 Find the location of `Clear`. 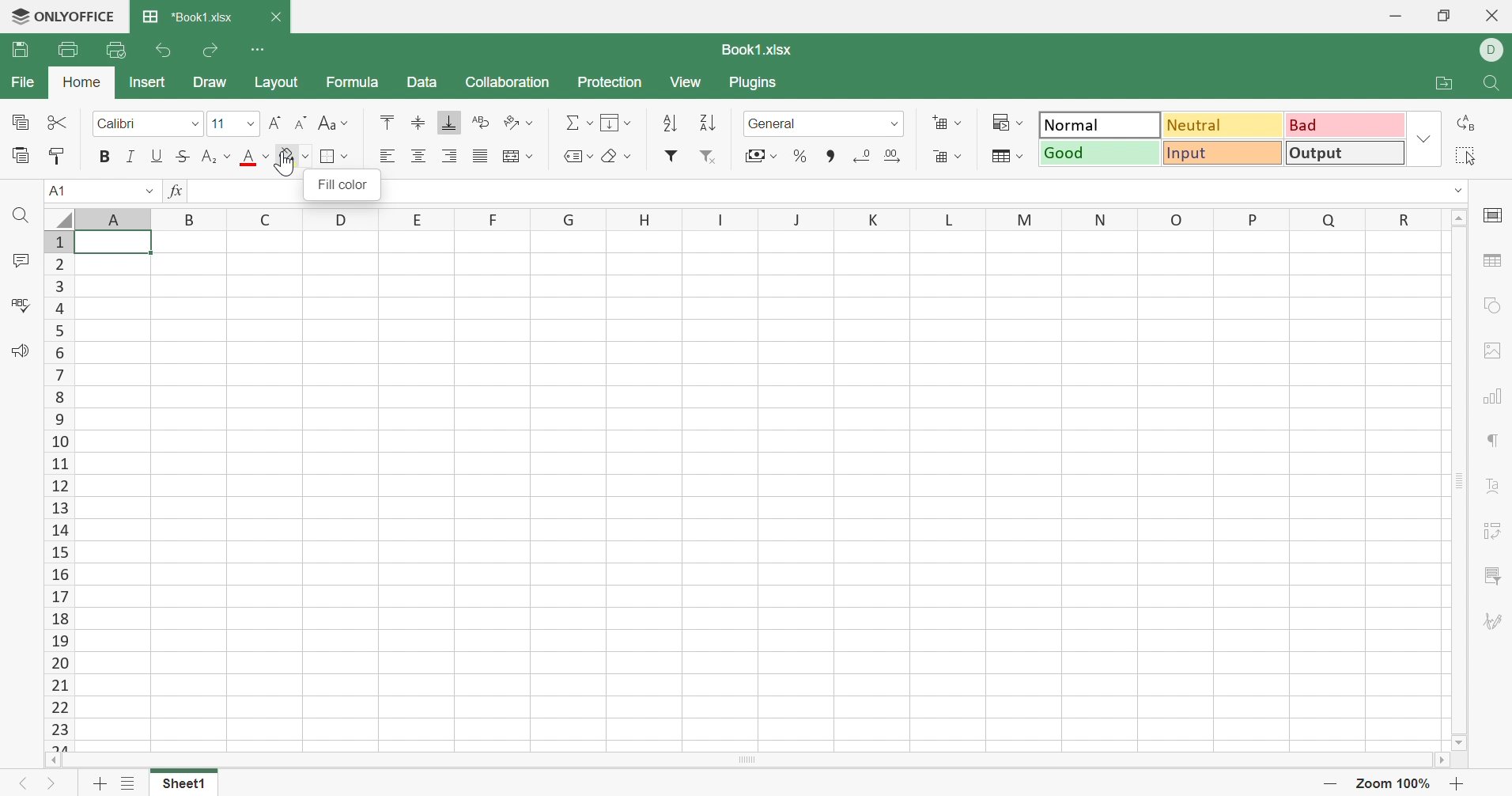

Clear is located at coordinates (617, 155).